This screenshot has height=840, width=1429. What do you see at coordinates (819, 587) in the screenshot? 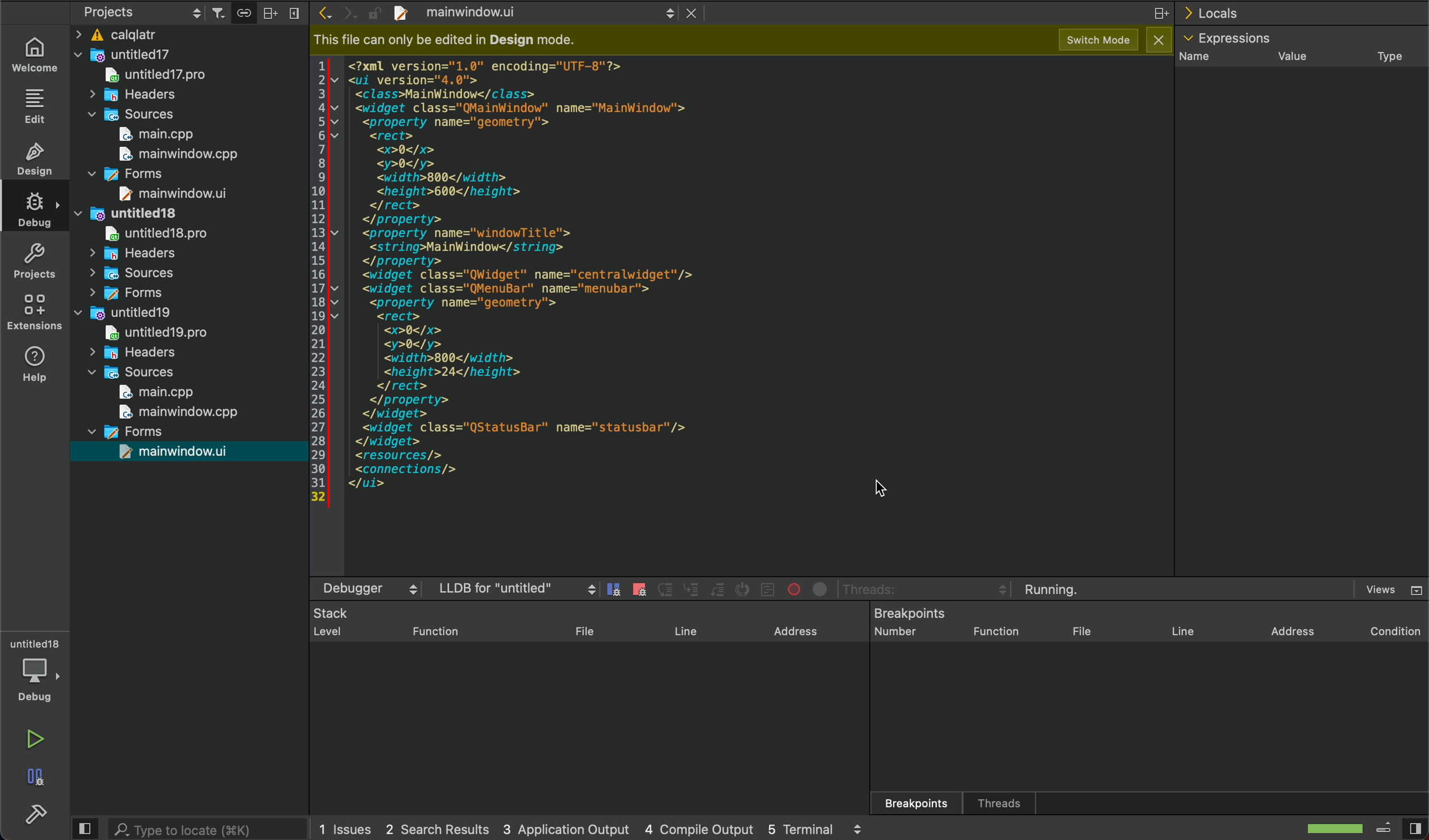
I see `terminal buttons` at bounding box center [819, 587].